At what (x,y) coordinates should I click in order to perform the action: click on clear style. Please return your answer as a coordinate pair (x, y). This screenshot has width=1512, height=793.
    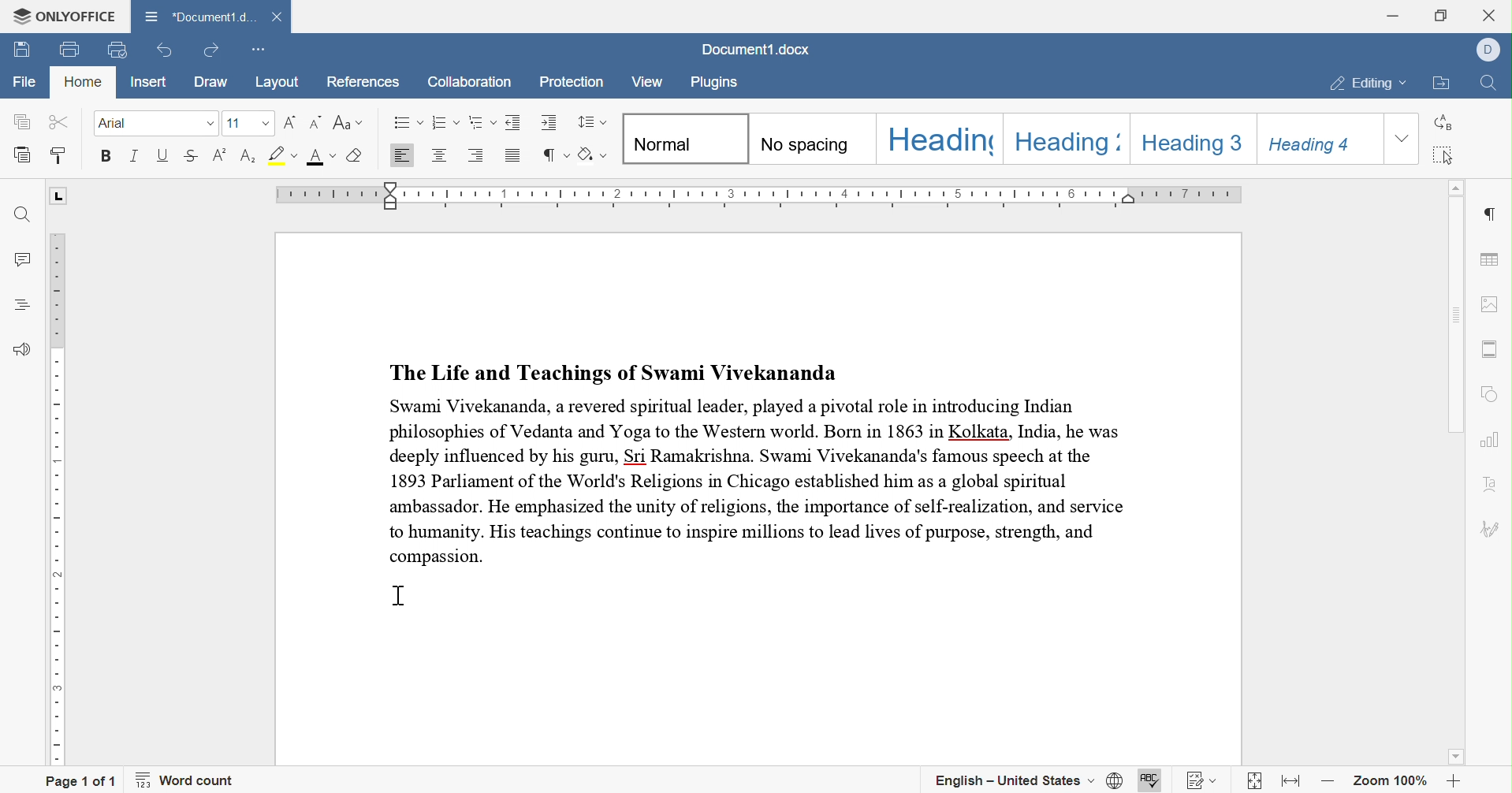
    Looking at the image, I should click on (356, 155).